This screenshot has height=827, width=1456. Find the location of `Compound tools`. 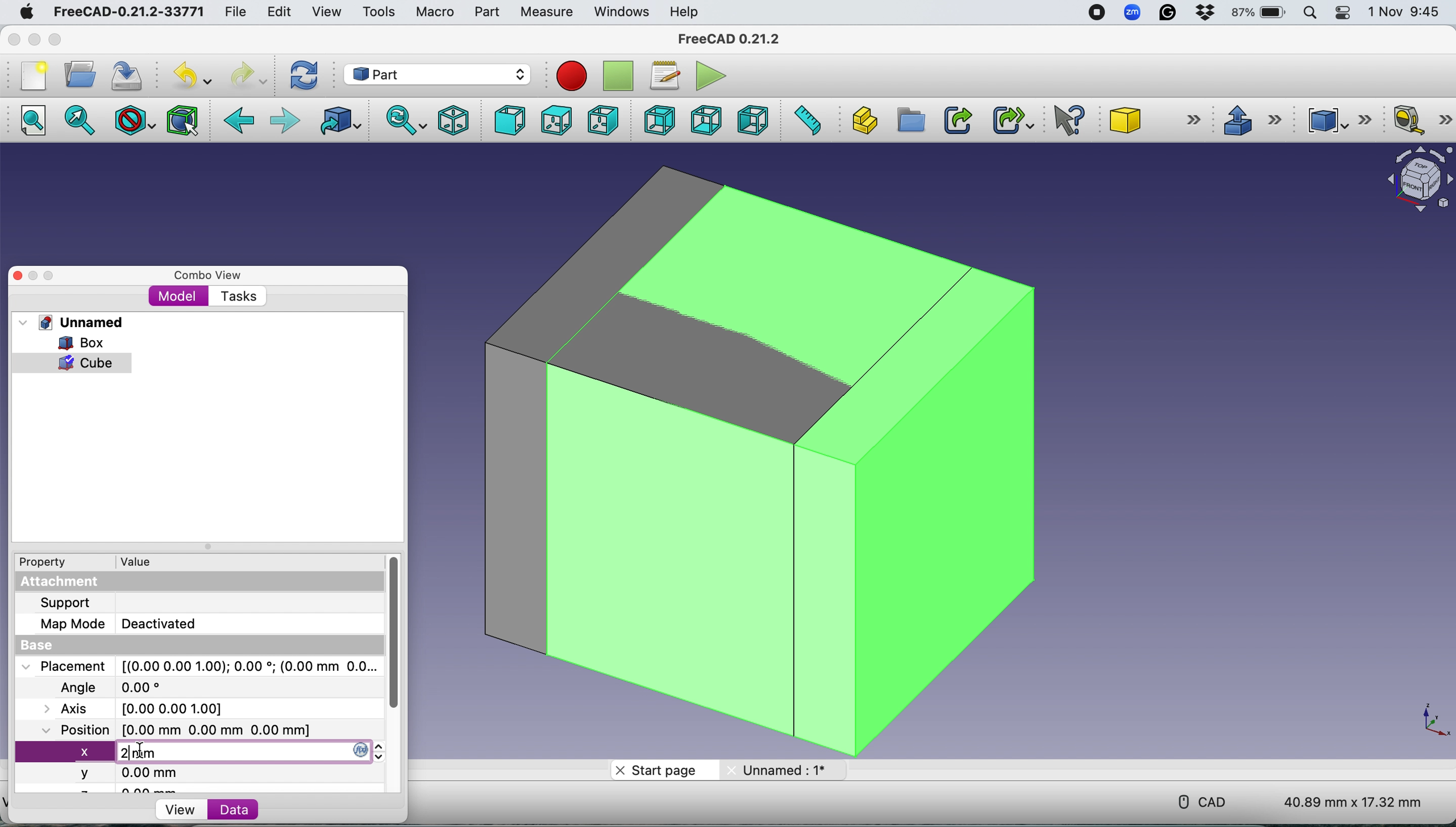

Compound tools is located at coordinates (1336, 120).